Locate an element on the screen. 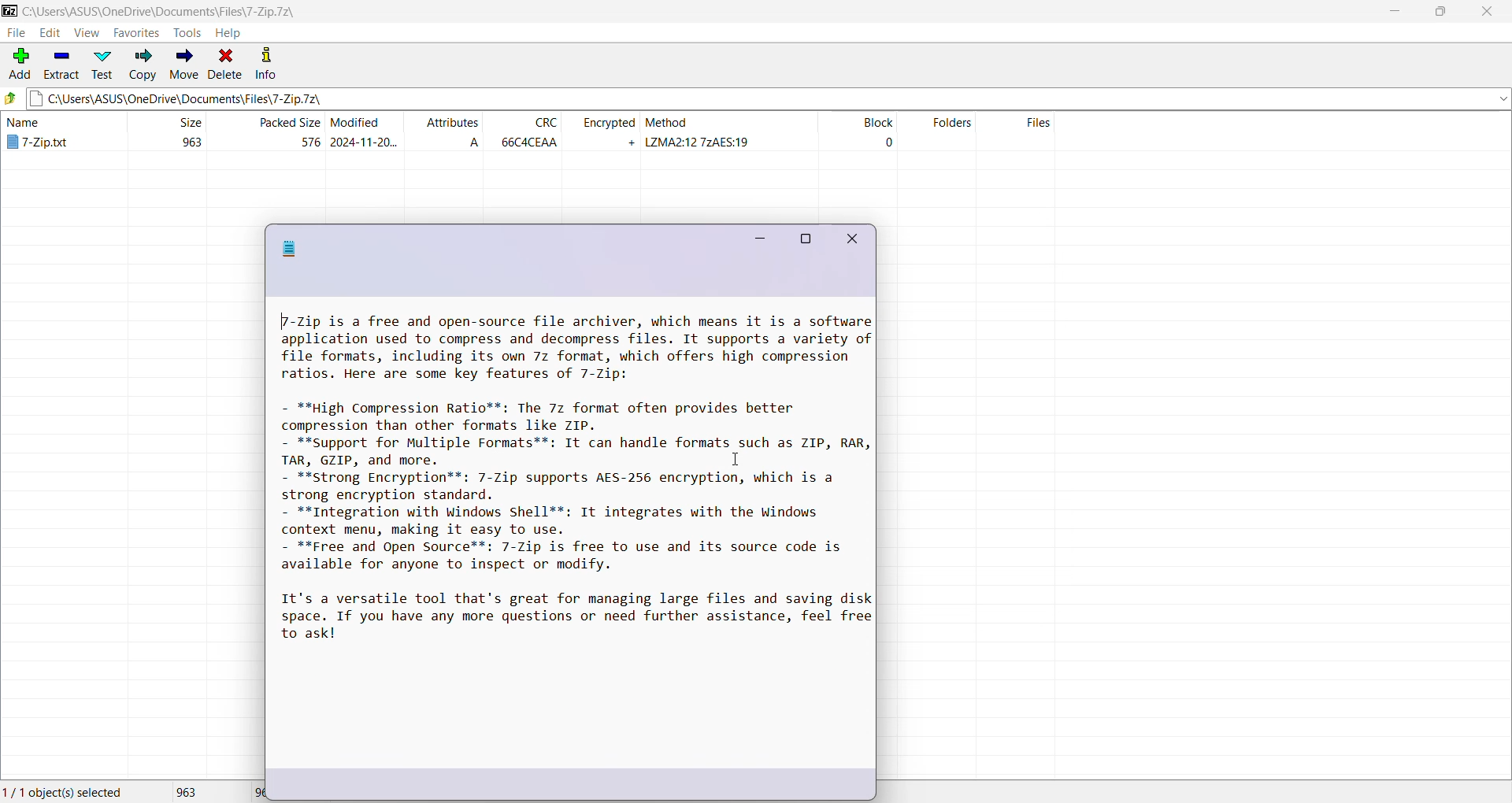 The image size is (1512, 803). Block is located at coordinates (857, 133).